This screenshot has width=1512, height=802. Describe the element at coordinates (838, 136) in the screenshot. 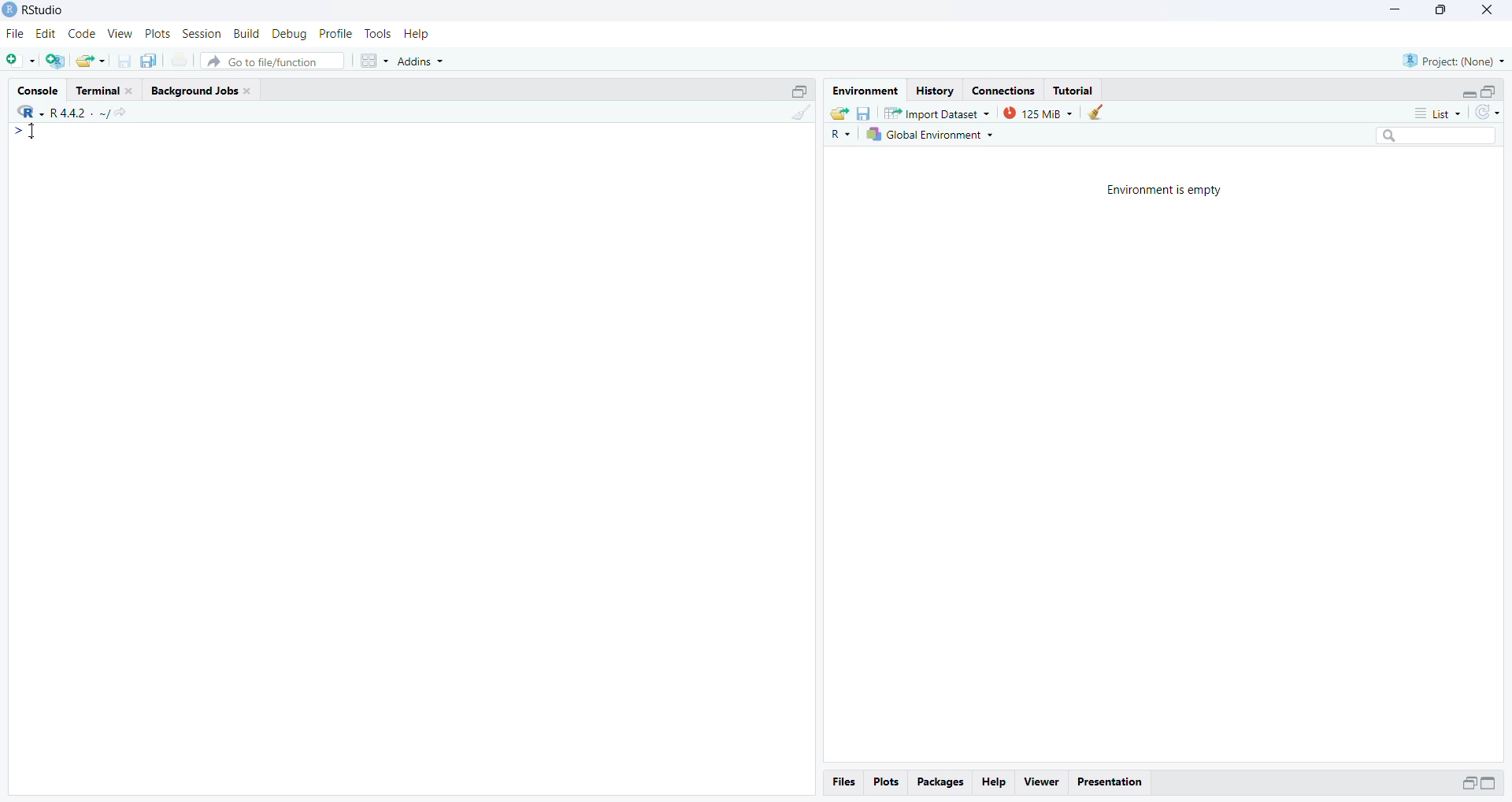

I see `R` at that location.